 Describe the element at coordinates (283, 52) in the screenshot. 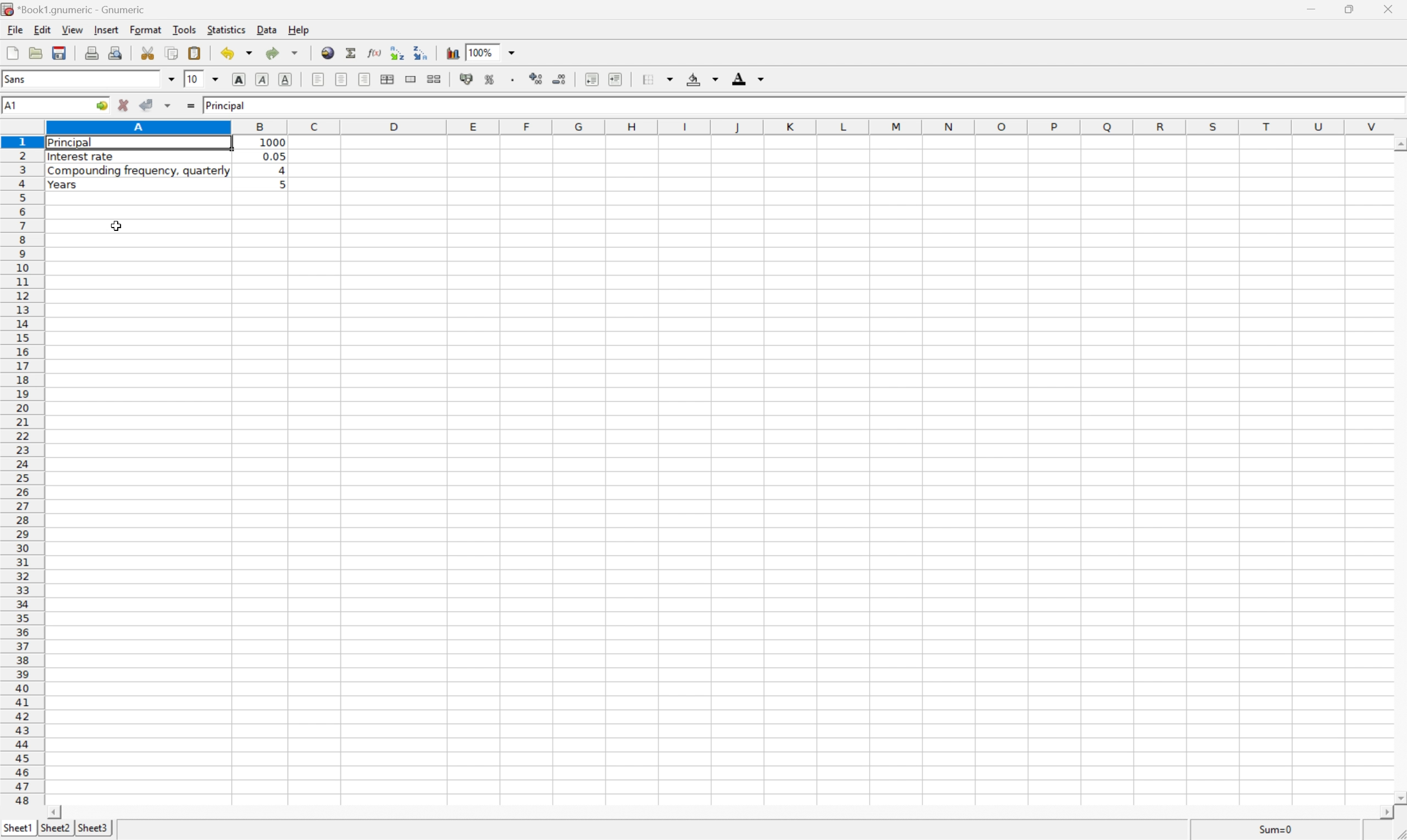

I see `redo` at that location.